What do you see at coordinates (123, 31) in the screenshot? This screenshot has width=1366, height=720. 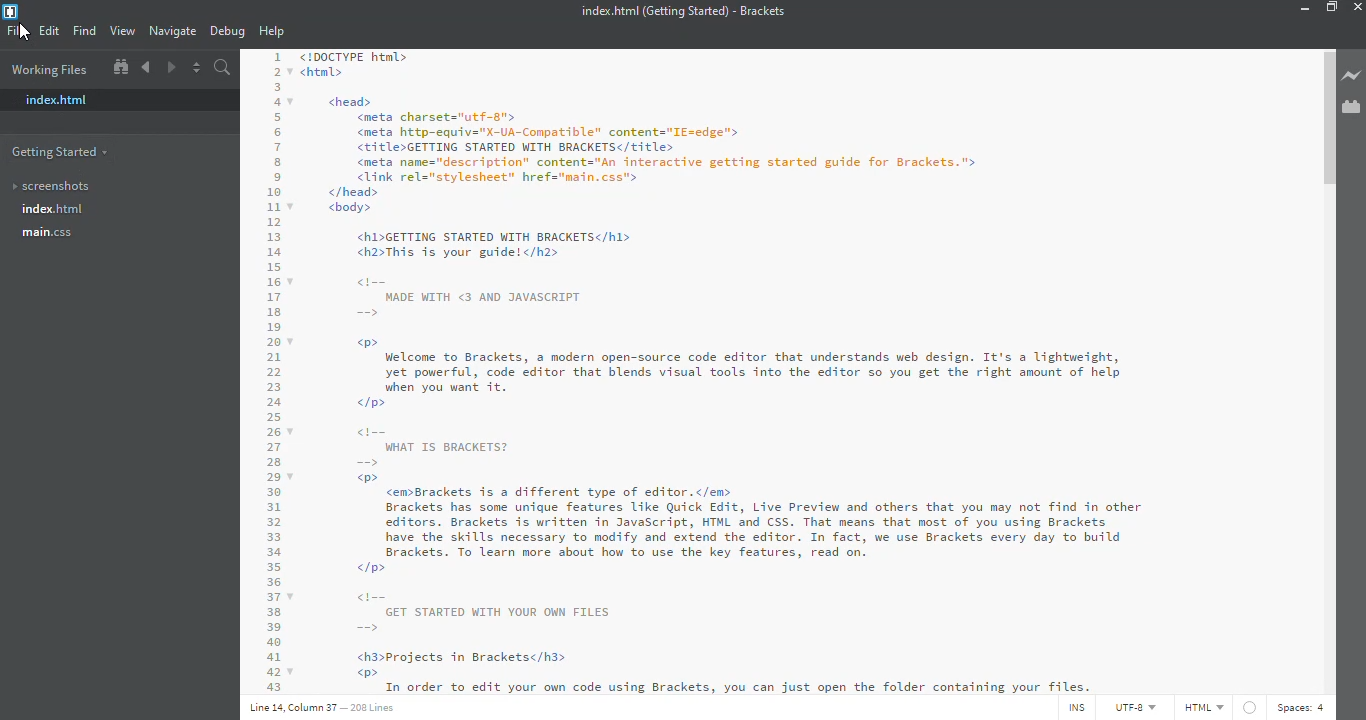 I see `view` at bounding box center [123, 31].